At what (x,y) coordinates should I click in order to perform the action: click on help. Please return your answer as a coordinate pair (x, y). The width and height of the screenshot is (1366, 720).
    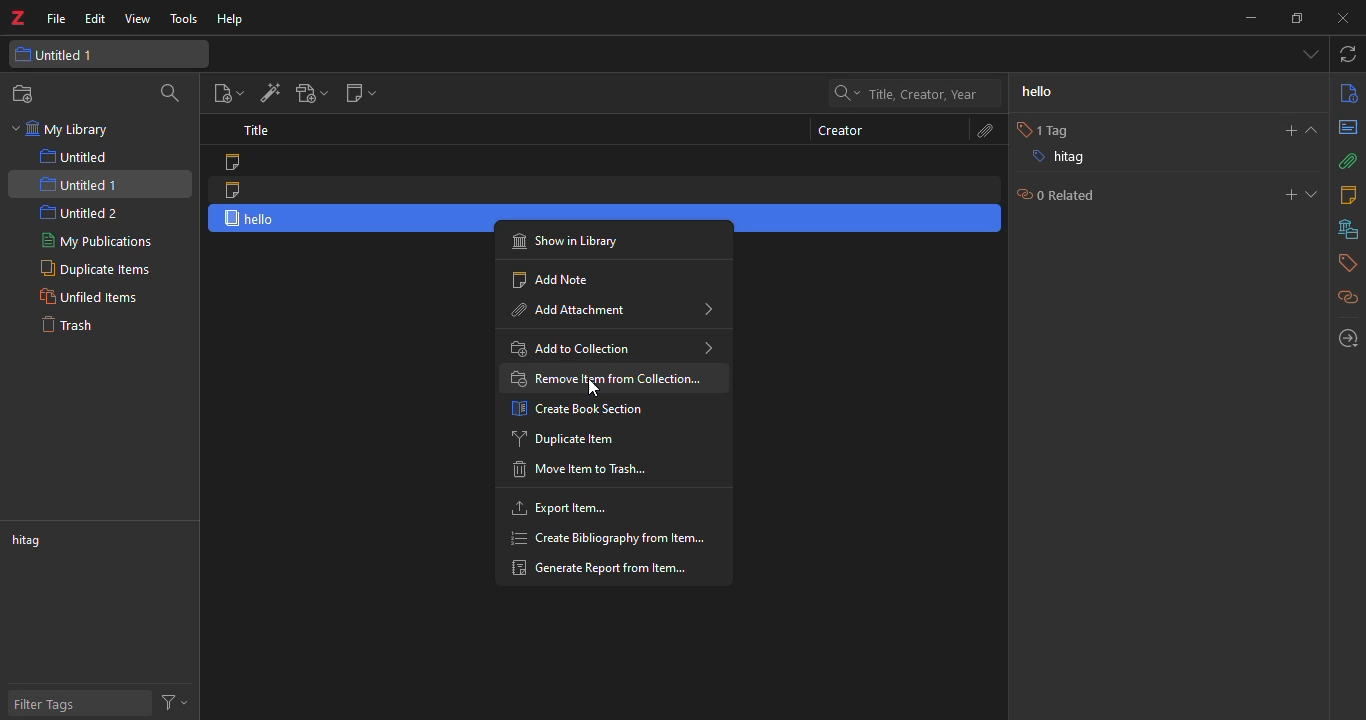
    Looking at the image, I should click on (229, 21).